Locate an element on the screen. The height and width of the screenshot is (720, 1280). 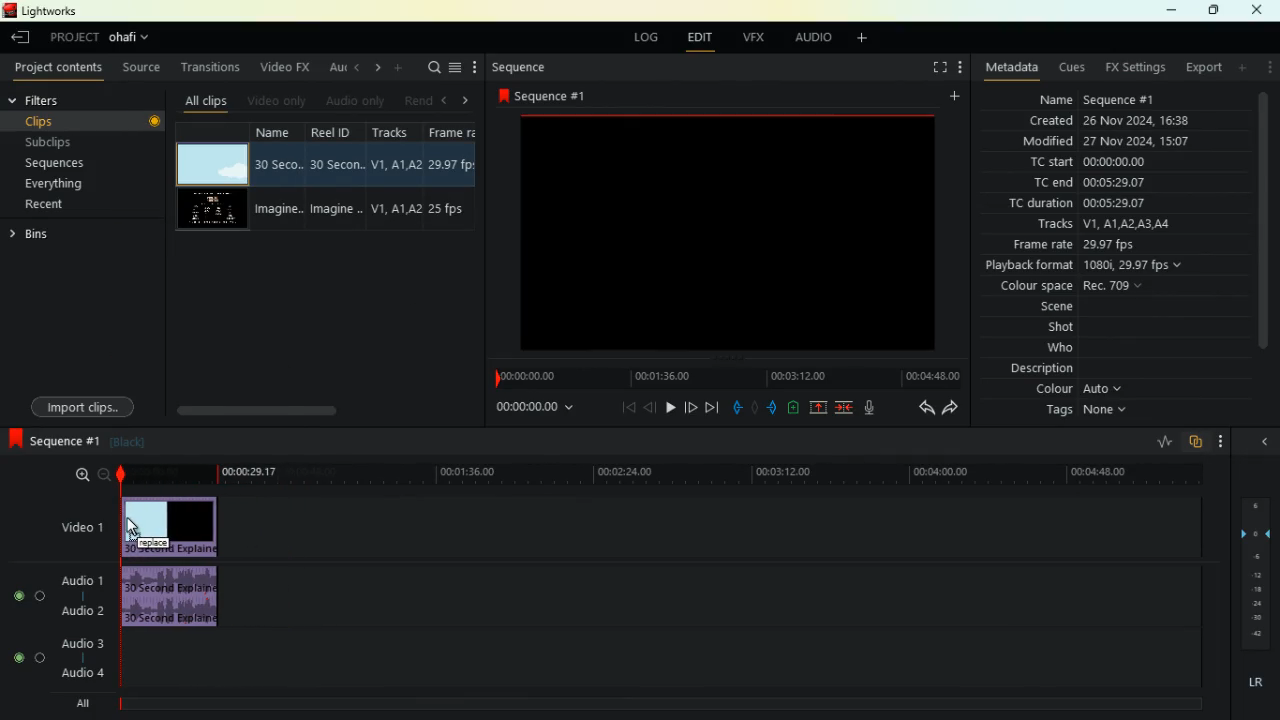
audio is located at coordinates (175, 600).